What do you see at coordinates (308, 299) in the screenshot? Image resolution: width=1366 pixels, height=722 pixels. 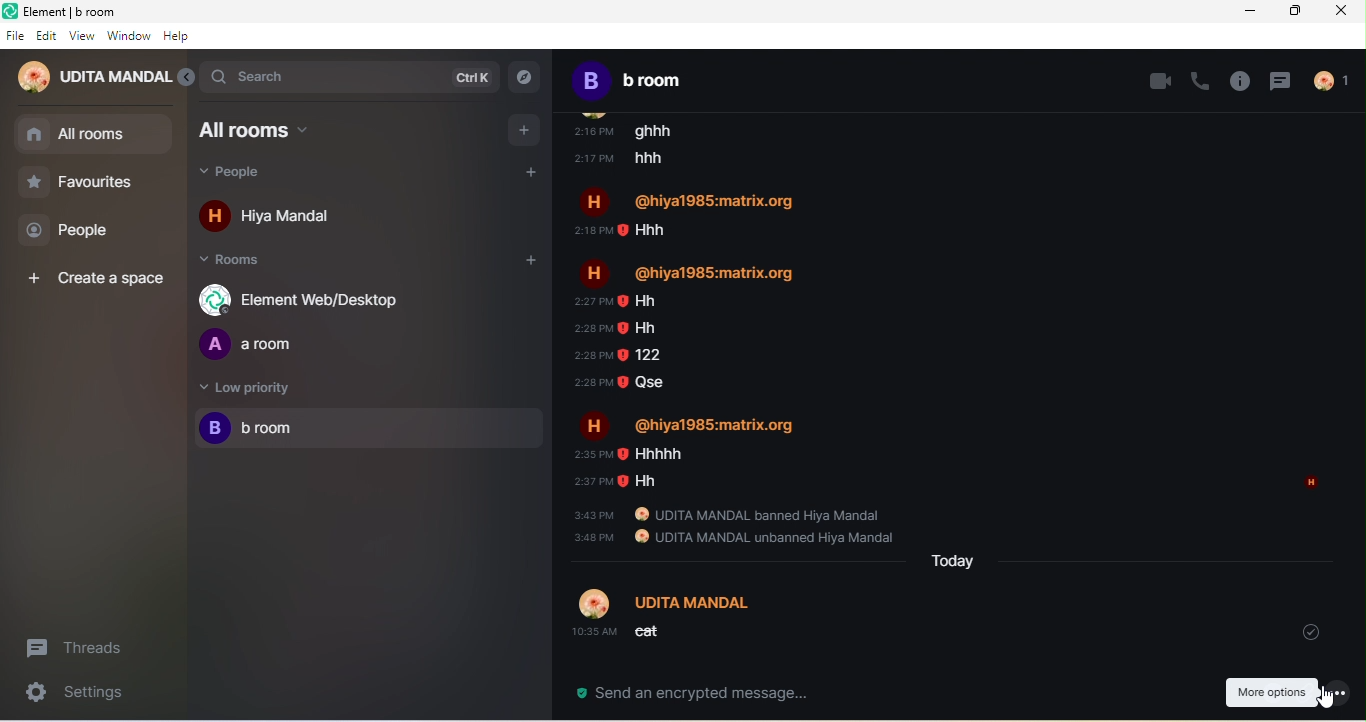 I see `element web` at bounding box center [308, 299].